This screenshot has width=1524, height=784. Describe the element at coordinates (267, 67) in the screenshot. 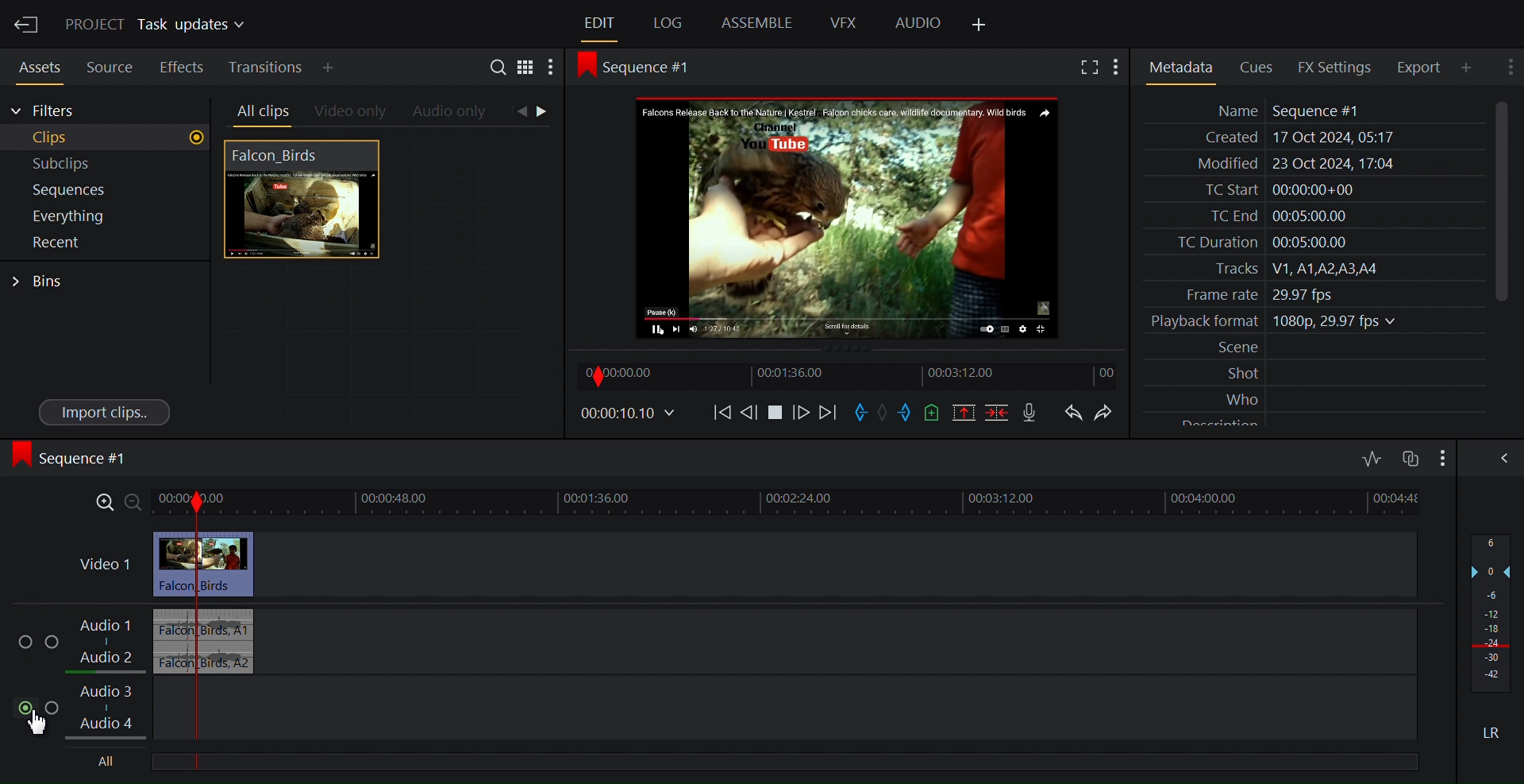

I see `Transitition` at that location.